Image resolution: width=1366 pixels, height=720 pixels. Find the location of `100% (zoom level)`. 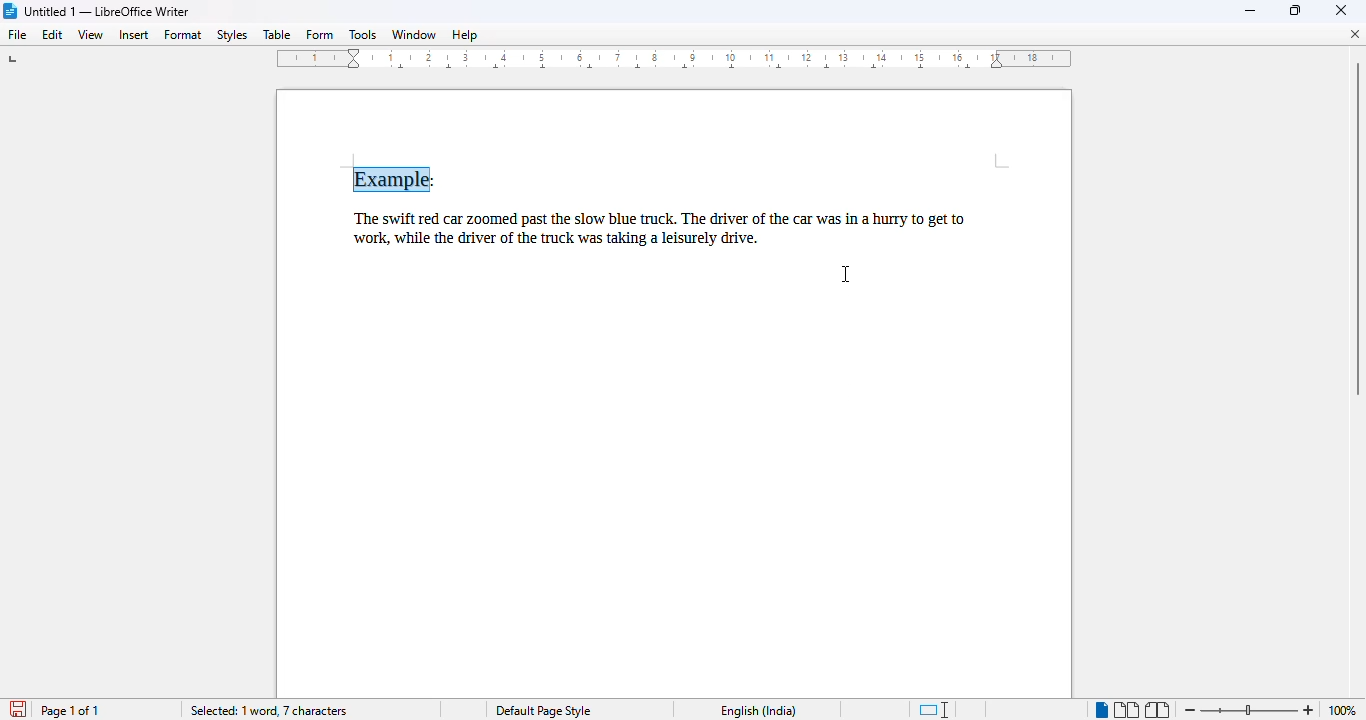

100% (zoom level) is located at coordinates (1344, 710).